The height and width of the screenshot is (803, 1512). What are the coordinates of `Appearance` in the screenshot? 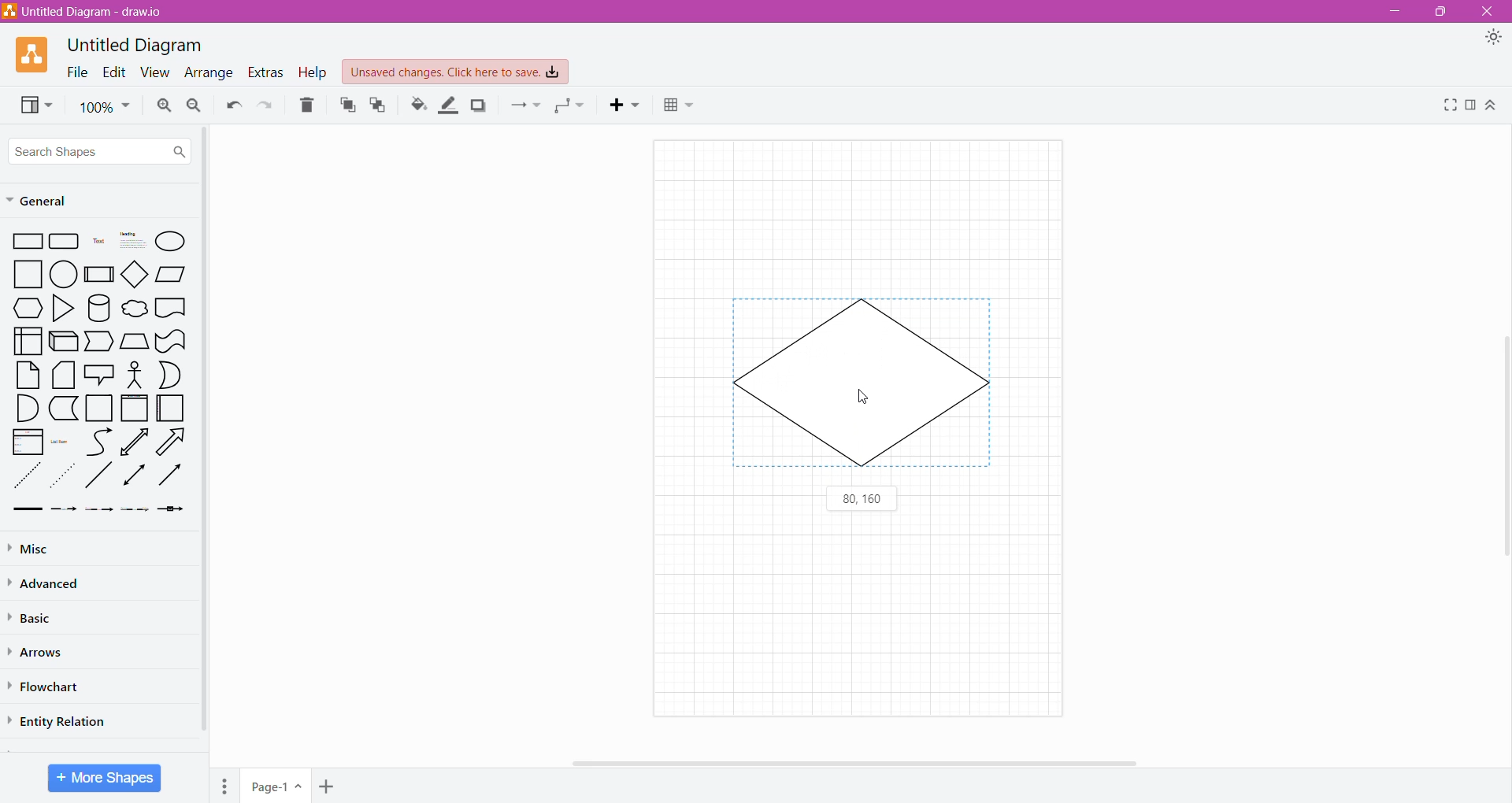 It's located at (1496, 39).